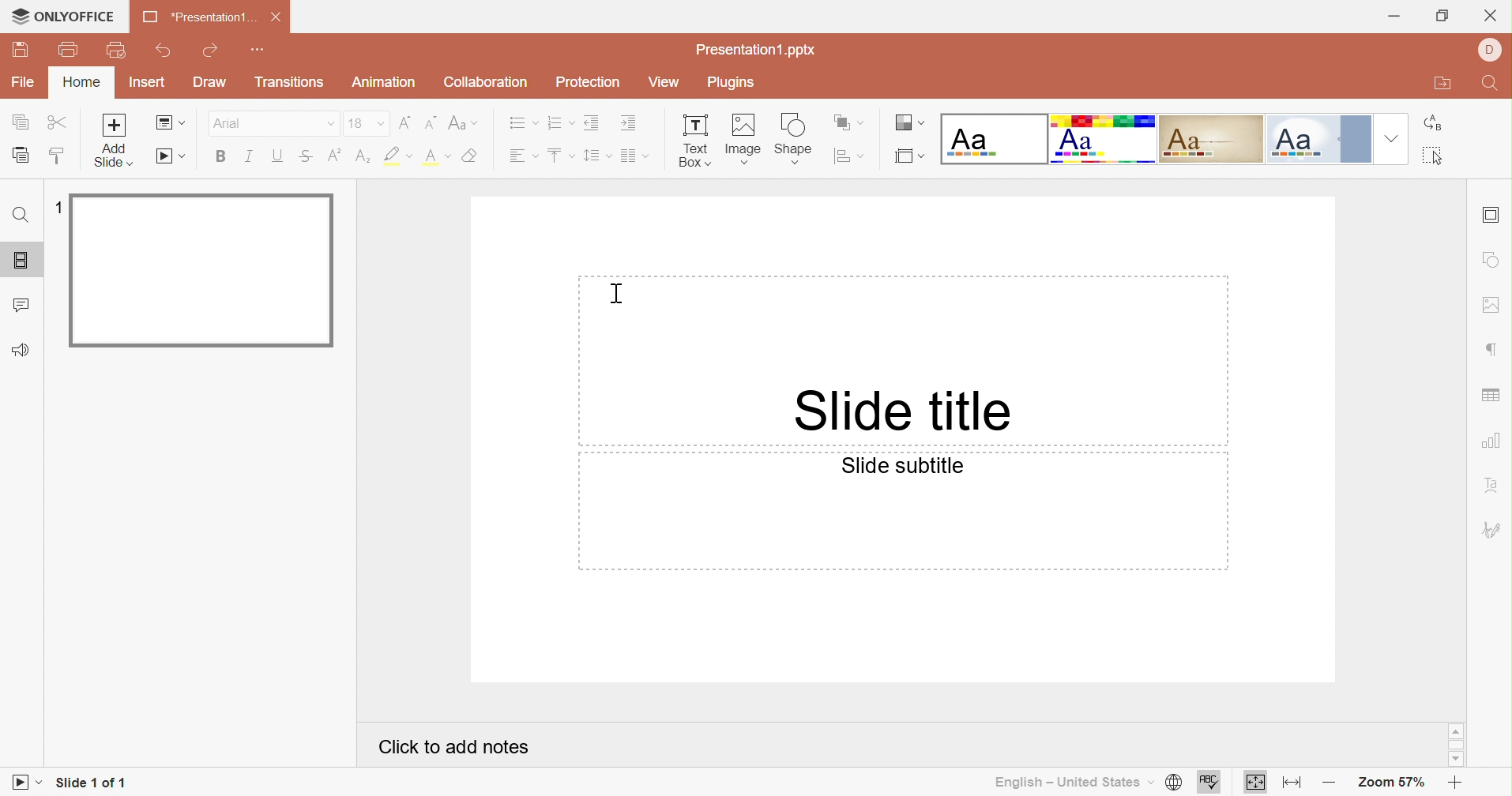 The height and width of the screenshot is (796, 1512). I want to click on Minimize, so click(1399, 13).